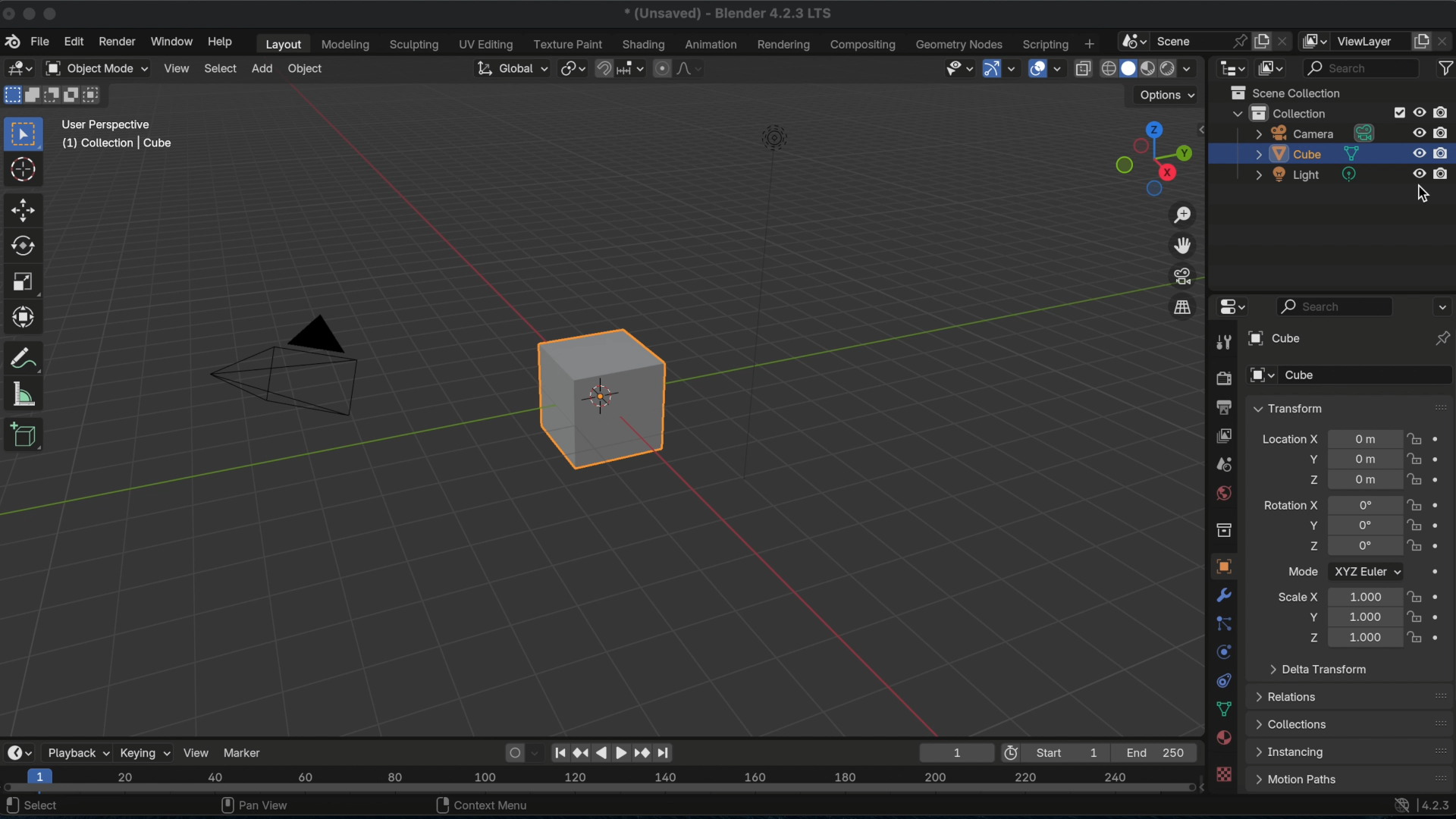 The height and width of the screenshot is (819, 1456). What do you see at coordinates (1439, 407) in the screenshot?
I see `drag handle` at bounding box center [1439, 407].